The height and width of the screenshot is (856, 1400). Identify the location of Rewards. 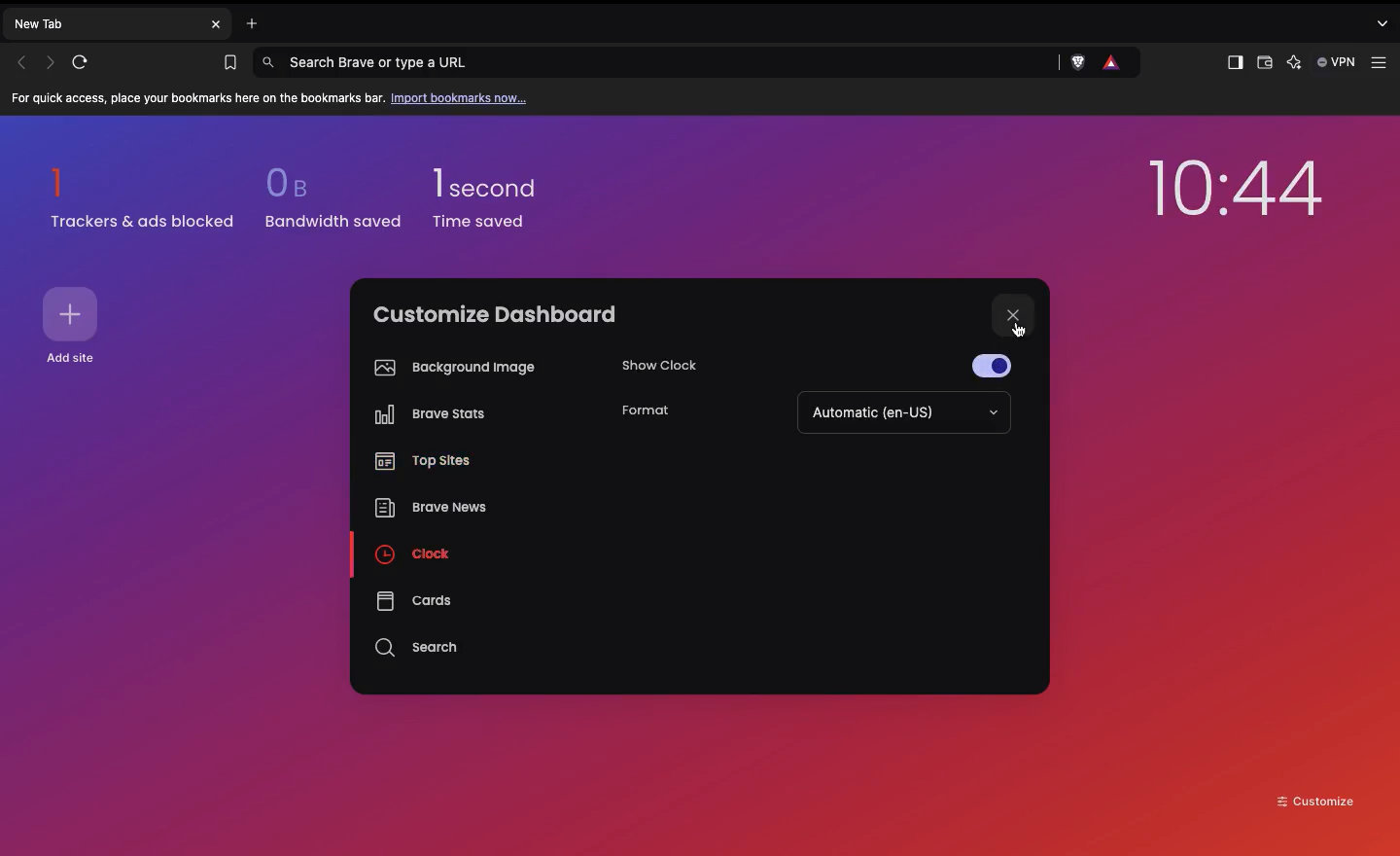
(1113, 63).